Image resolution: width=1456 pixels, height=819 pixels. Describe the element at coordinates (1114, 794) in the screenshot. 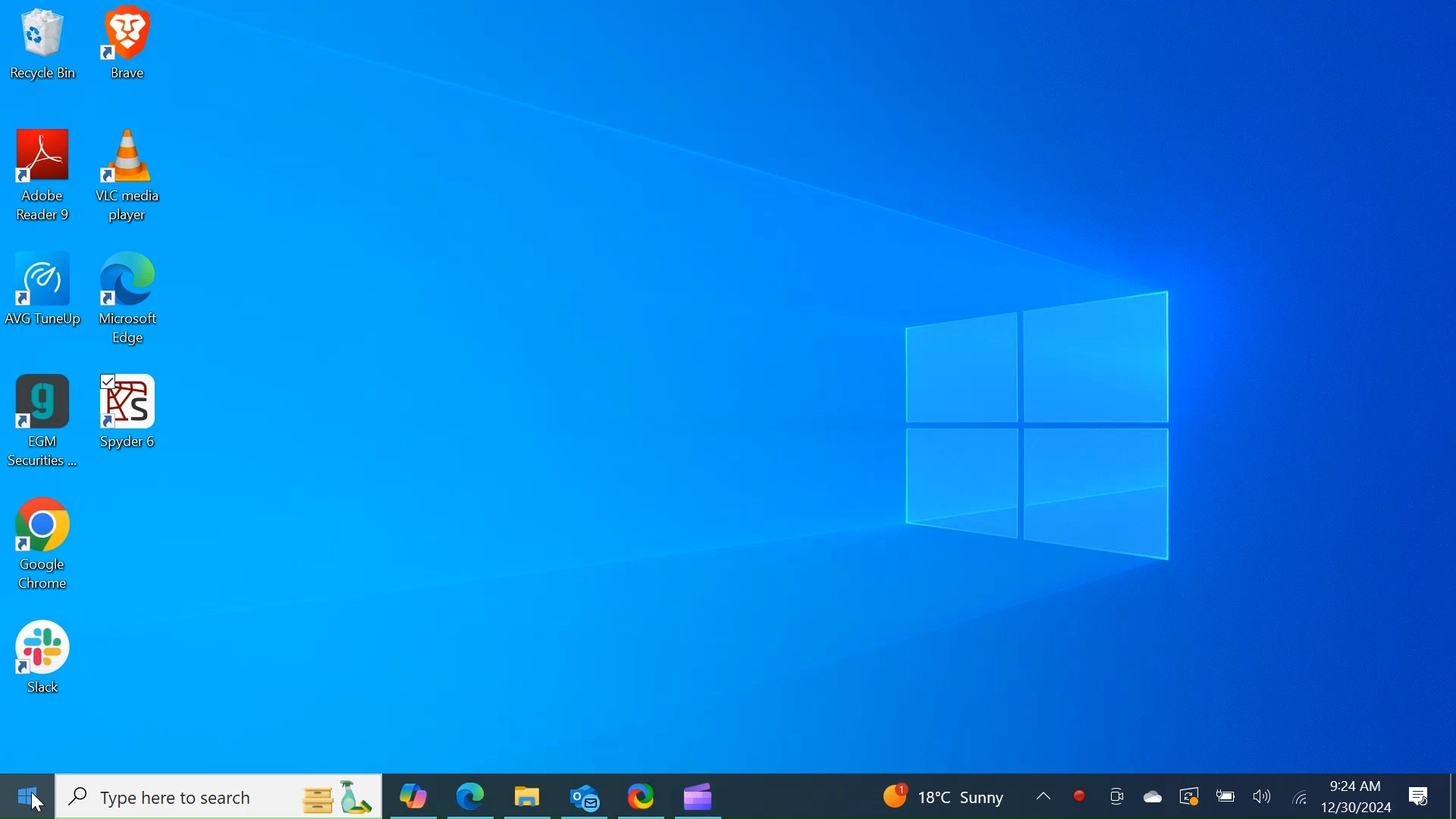

I see `Meet now` at that location.